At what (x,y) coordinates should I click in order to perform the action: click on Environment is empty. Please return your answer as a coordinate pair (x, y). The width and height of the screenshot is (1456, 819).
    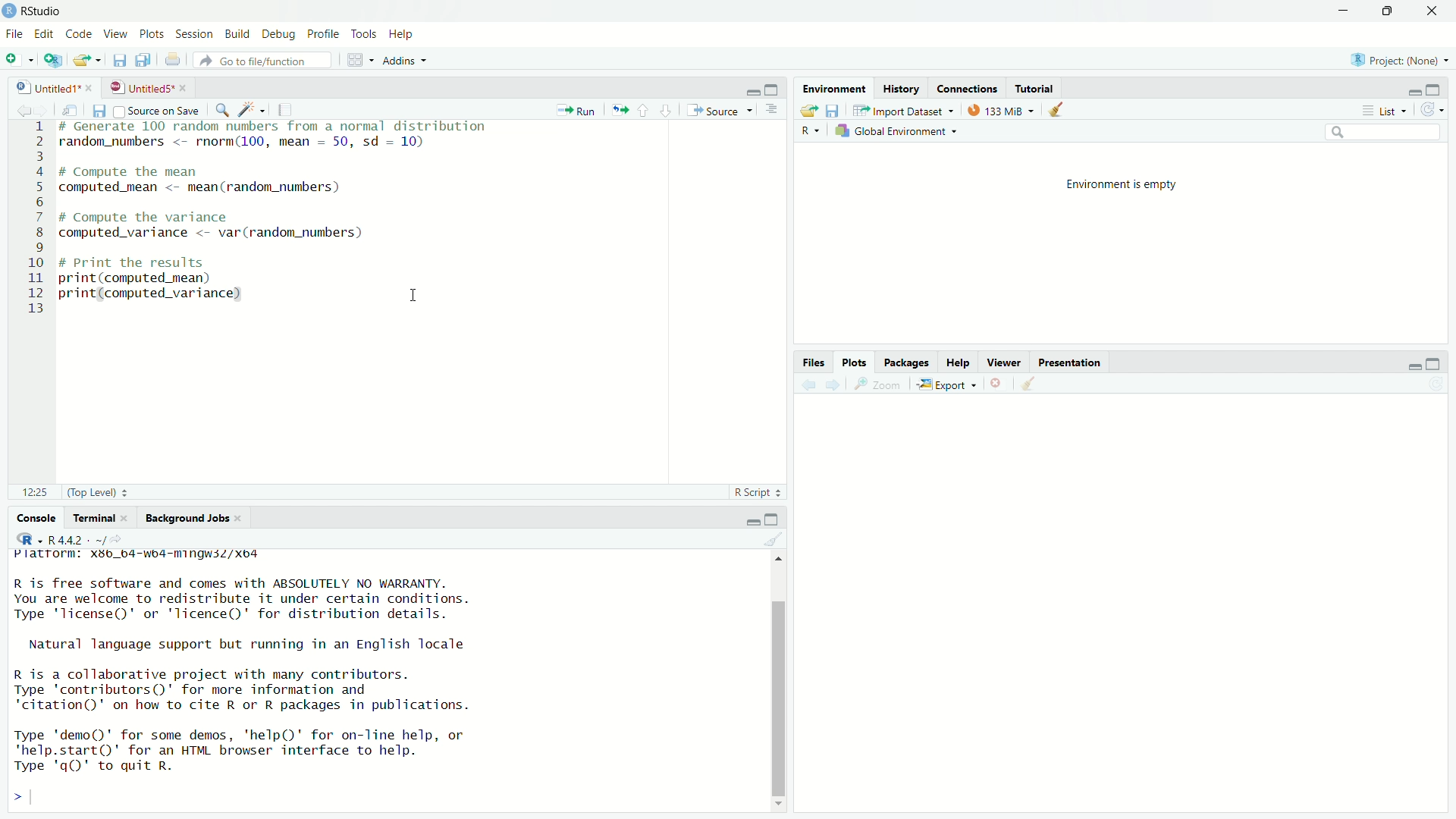
    Looking at the image, I should click on (1122, 187).